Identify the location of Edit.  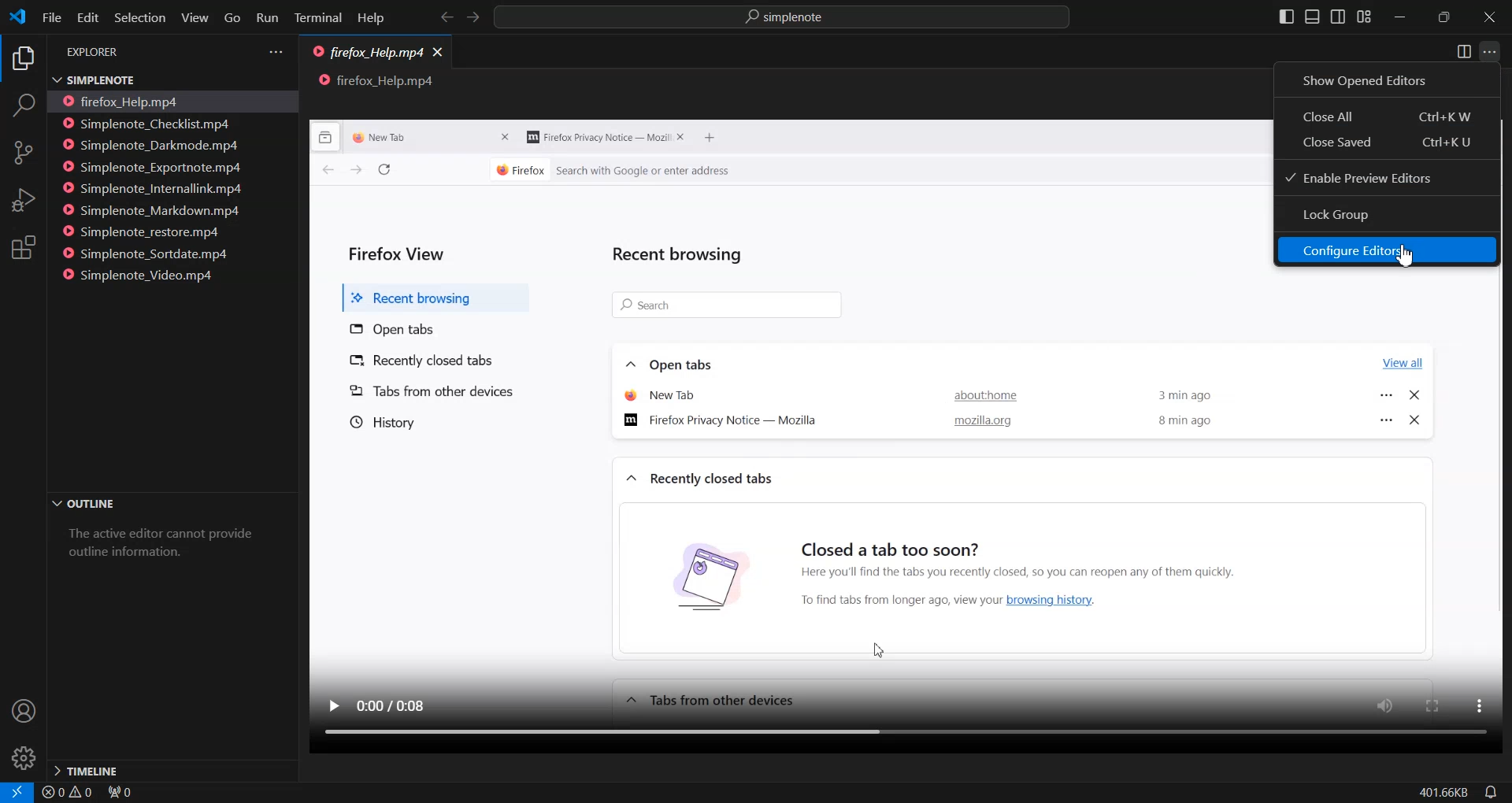
(87, 17).